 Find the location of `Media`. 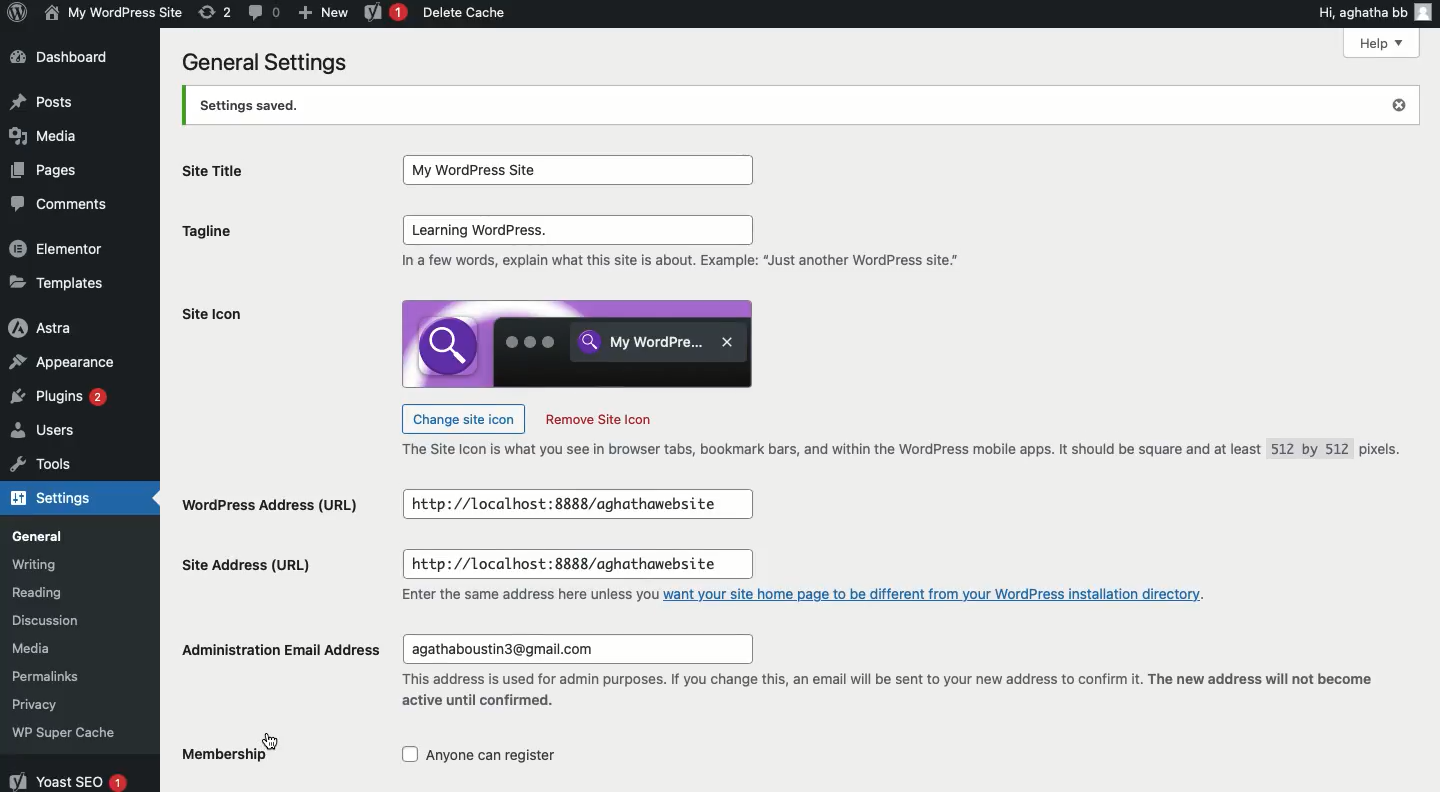

Media is located at coordinates (49, 137).